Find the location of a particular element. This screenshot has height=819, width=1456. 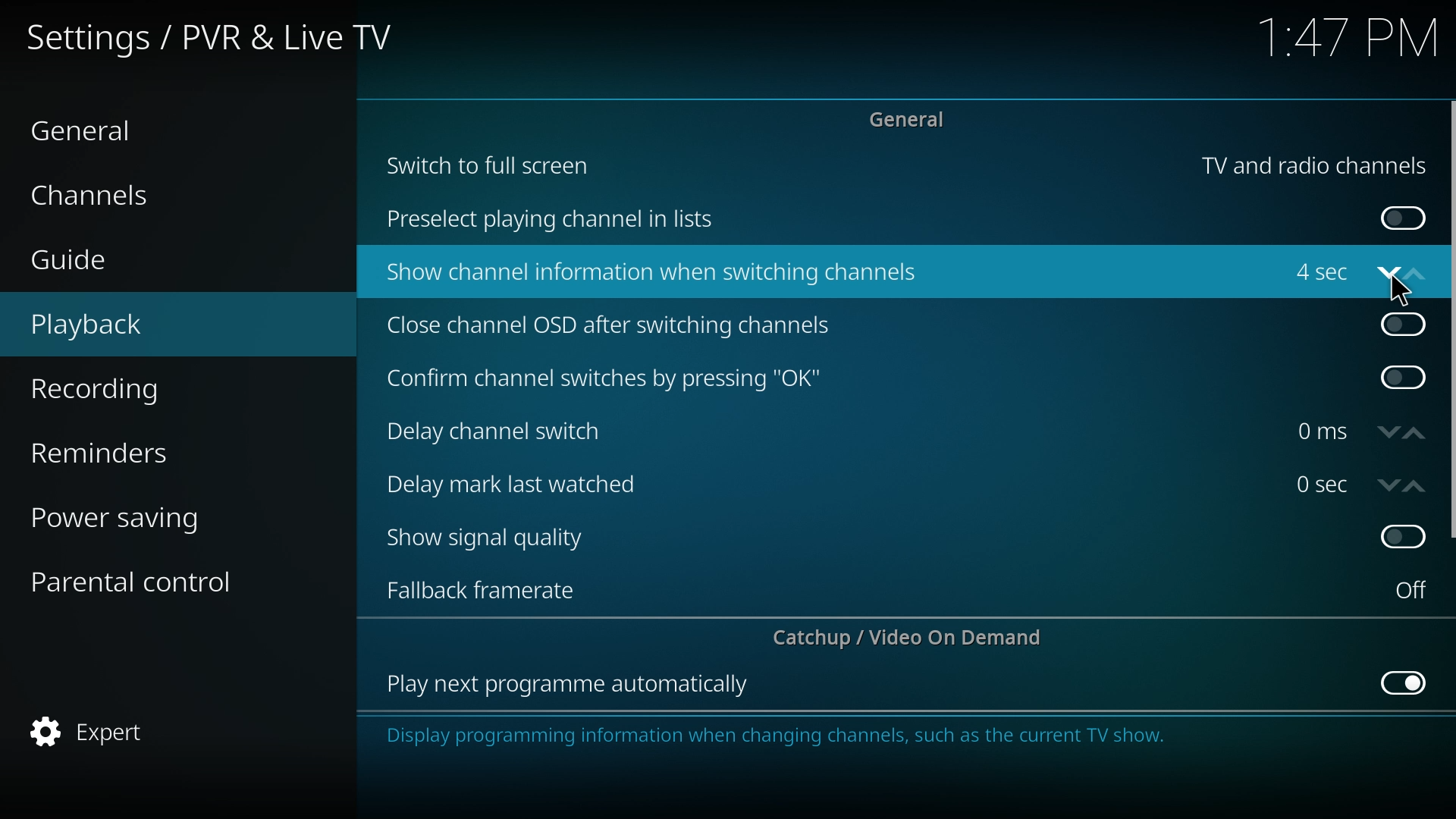

recording is located at coordinates (137, 390).